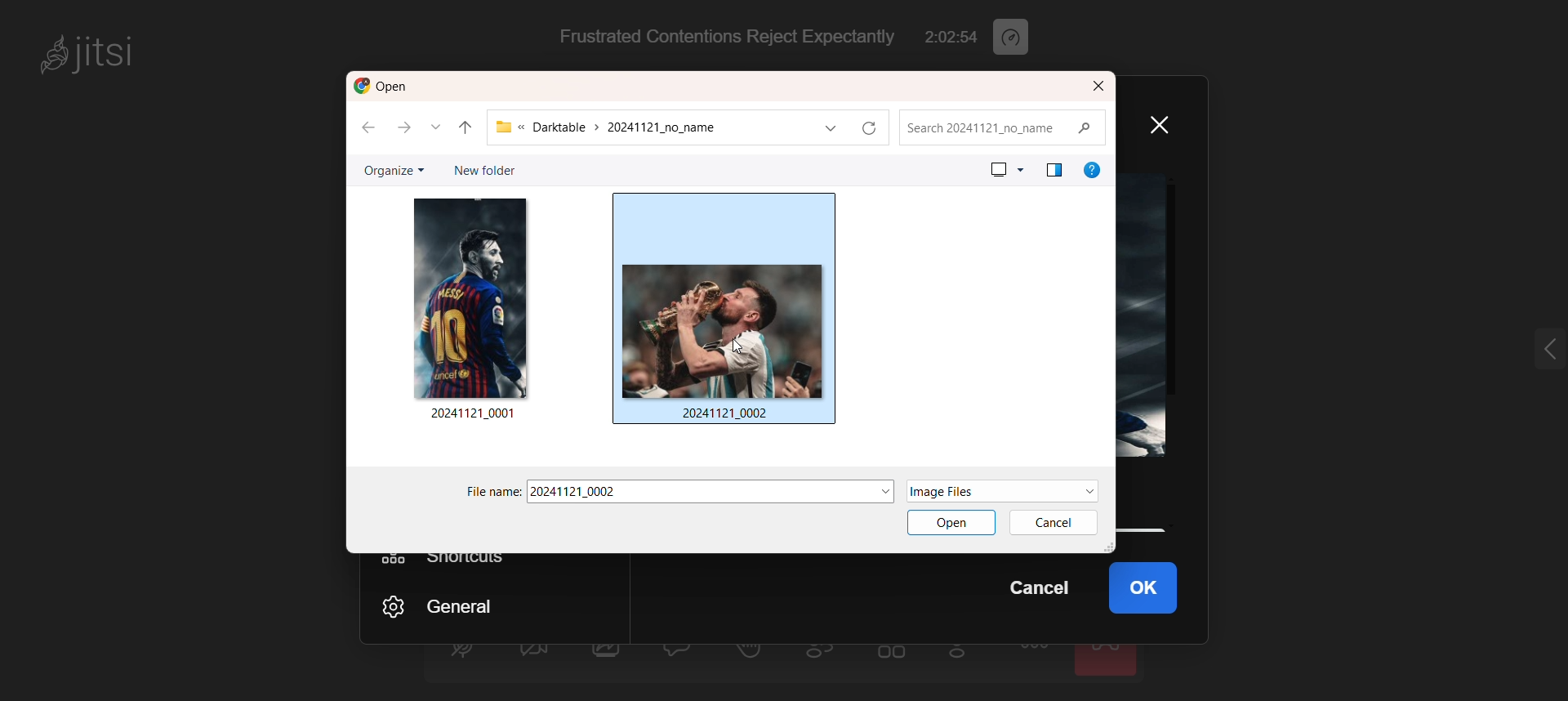 The width and height of the screenshot is (1568, 701). What do you see at coordinates (680, 653) in the screenshot?
I see `chat` at bounding box center [680, 653].